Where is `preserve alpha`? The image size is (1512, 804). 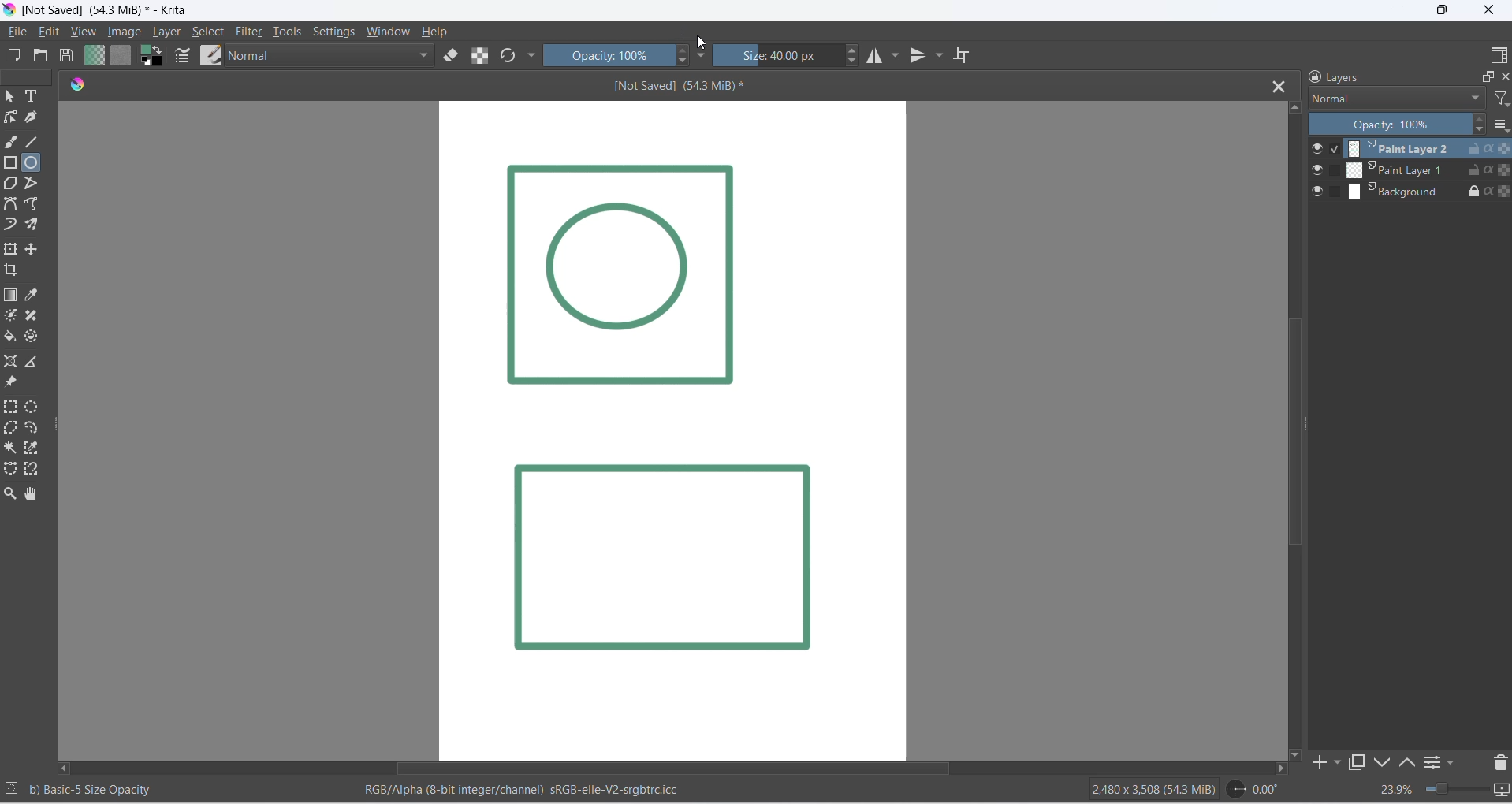
preserve alpha is located at coordinates (482, 56).